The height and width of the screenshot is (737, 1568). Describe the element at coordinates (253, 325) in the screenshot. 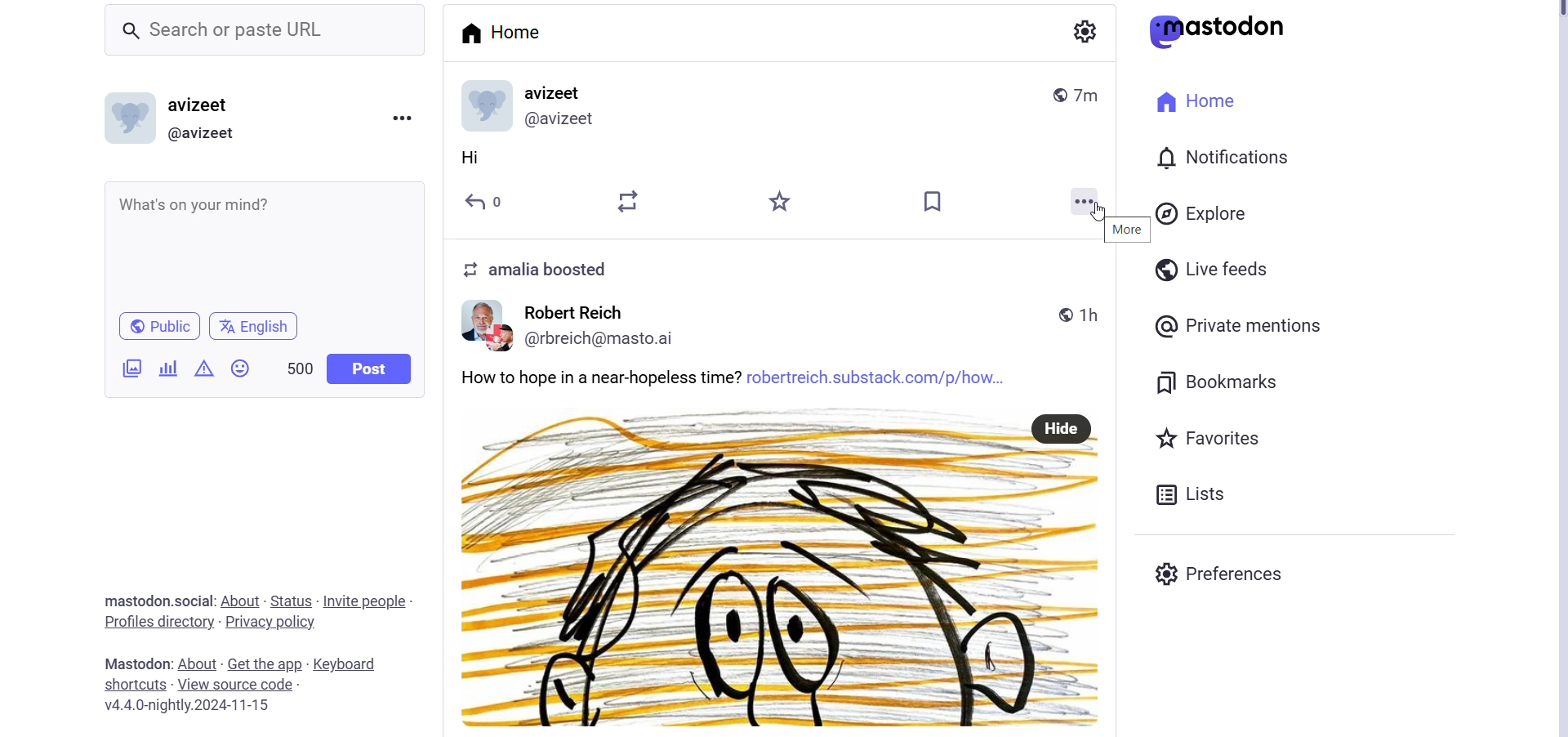

I see `Language` at that location.